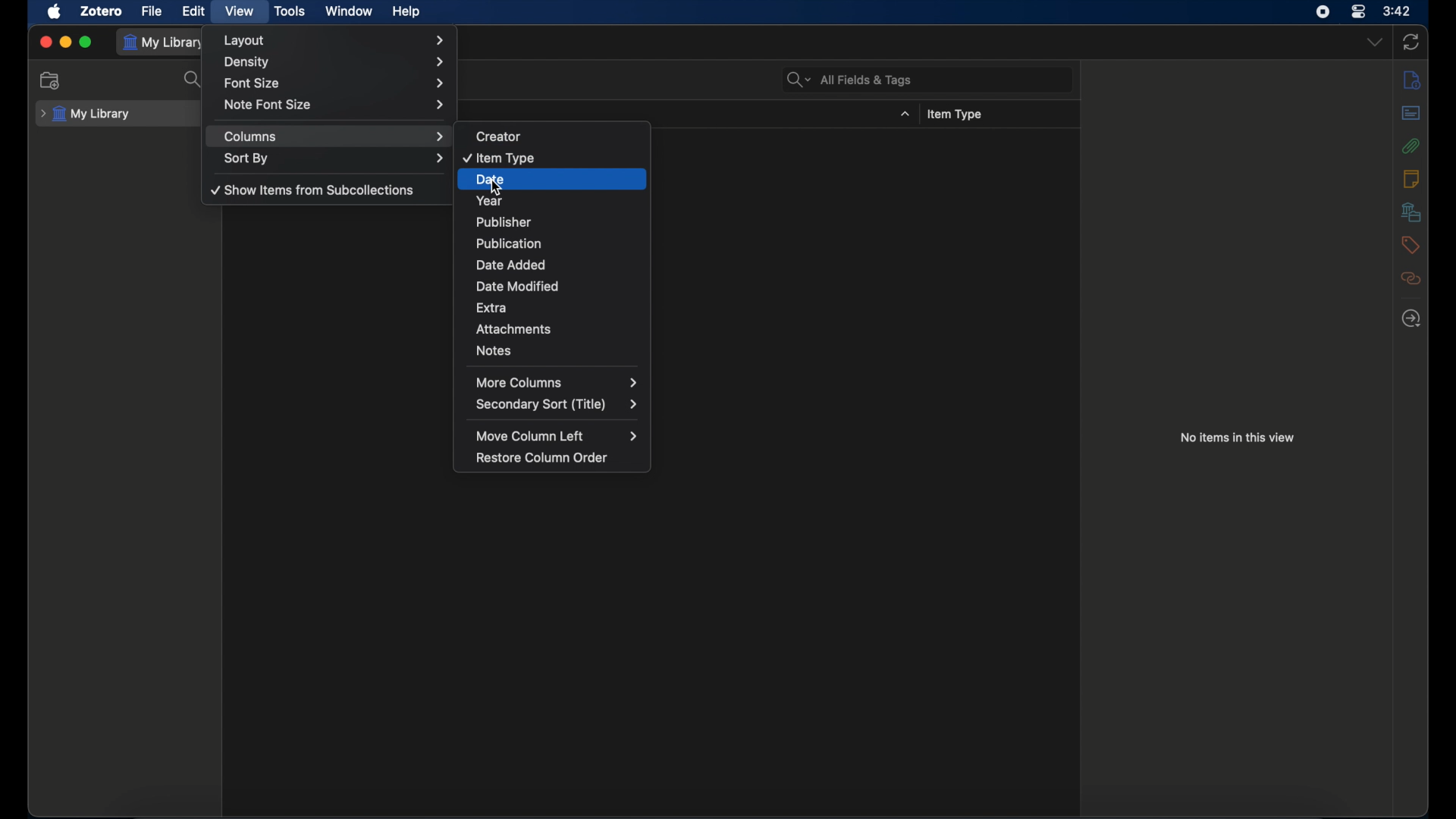 The width and height of the screenshot is (1456, 819). I want to click on time, so click(1398, 11).